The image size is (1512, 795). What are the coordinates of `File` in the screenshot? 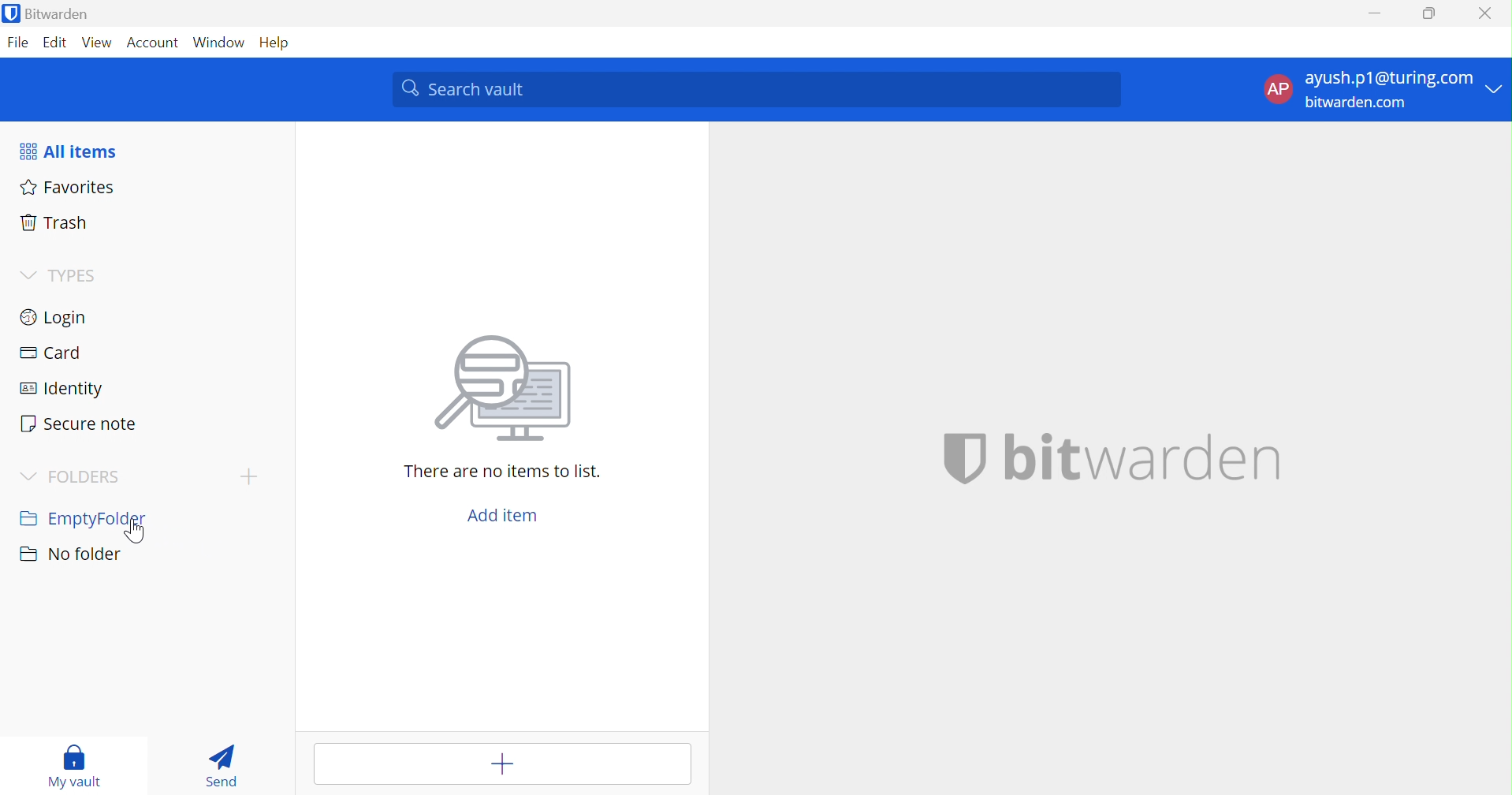 It's located at (17, 43).